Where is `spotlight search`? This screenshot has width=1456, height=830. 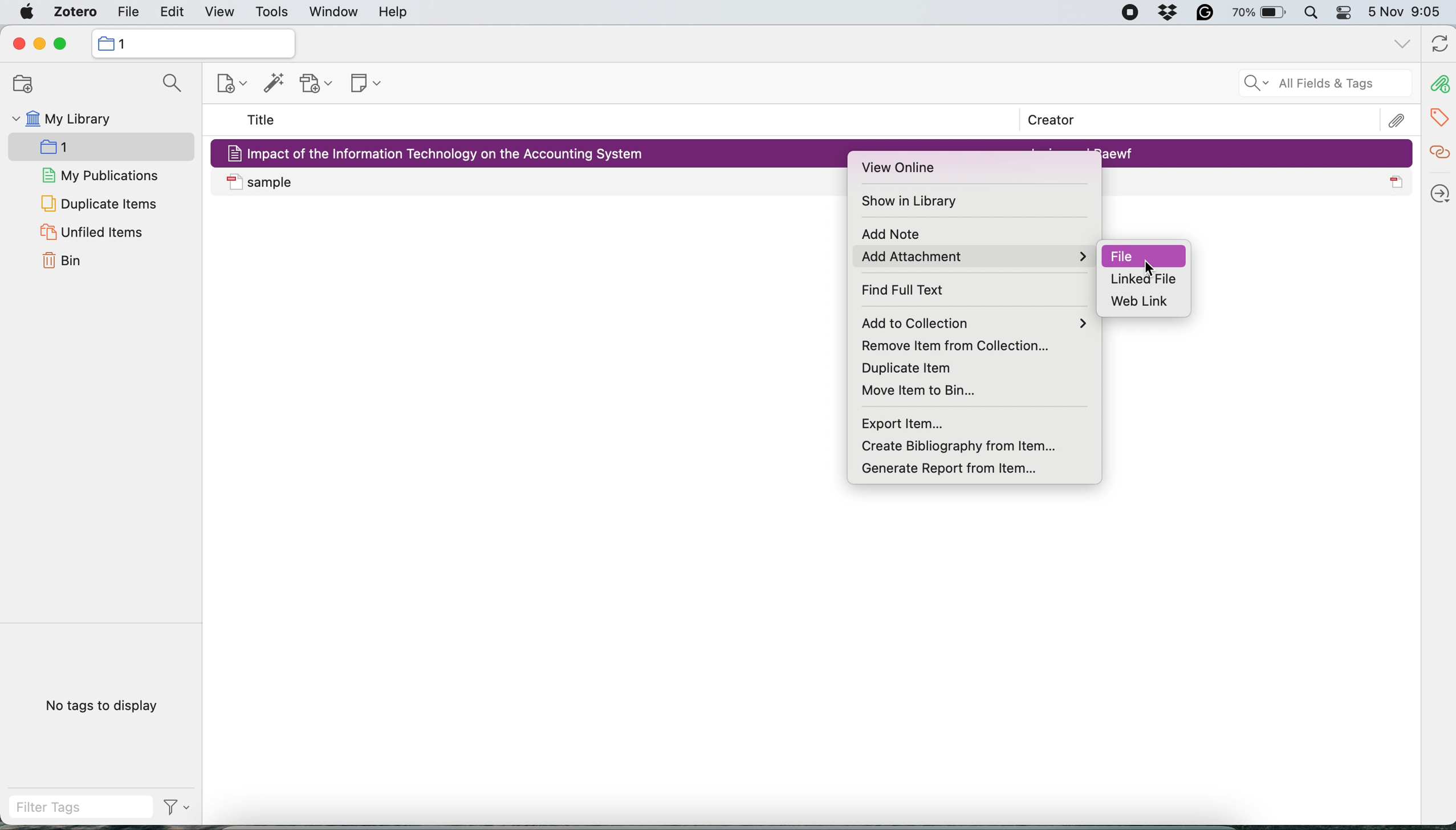
spotlight search is located at coordinates (1311, 14).